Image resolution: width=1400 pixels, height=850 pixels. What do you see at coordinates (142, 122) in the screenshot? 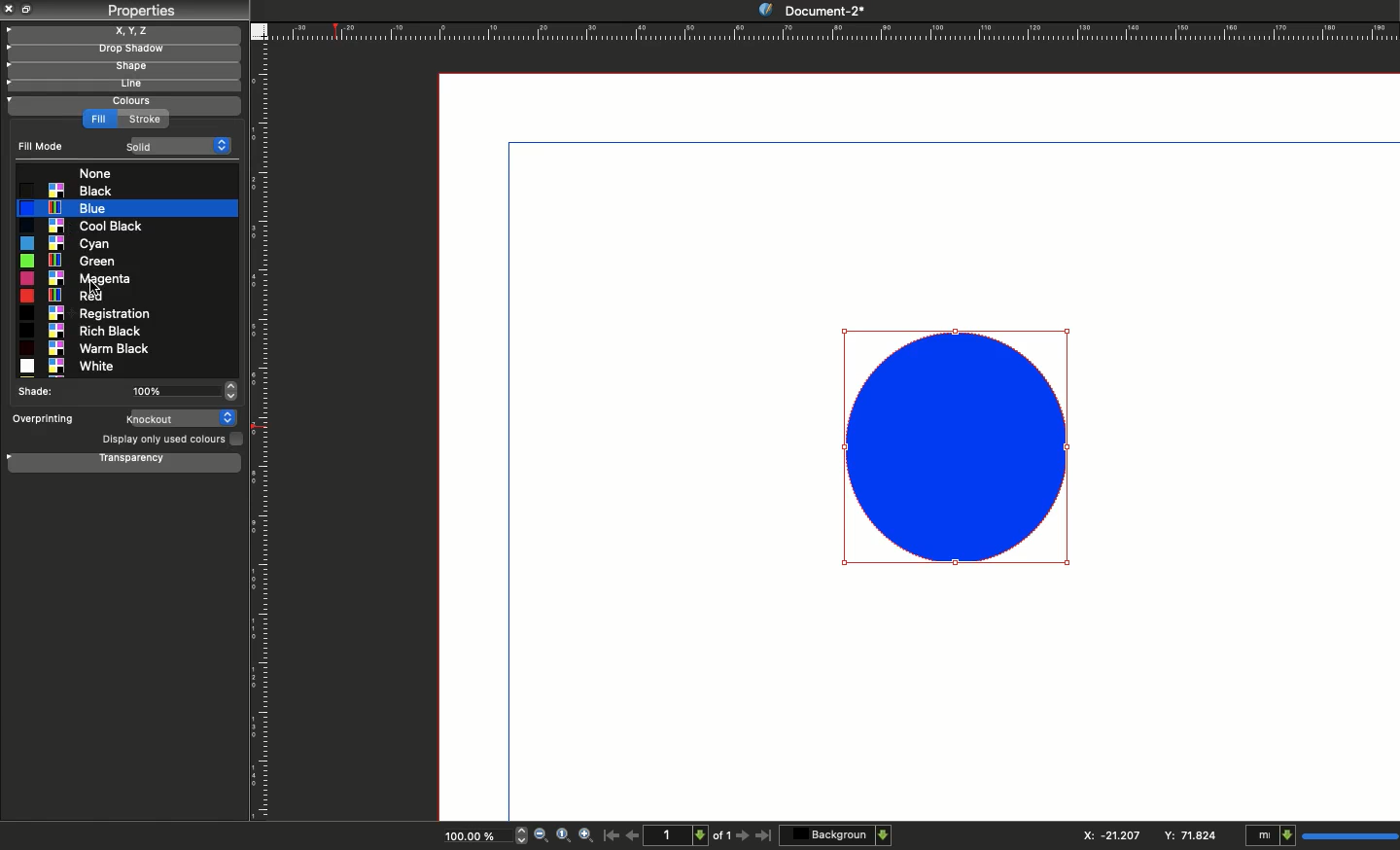
I see `Strok` at bounding box center [142, 122].